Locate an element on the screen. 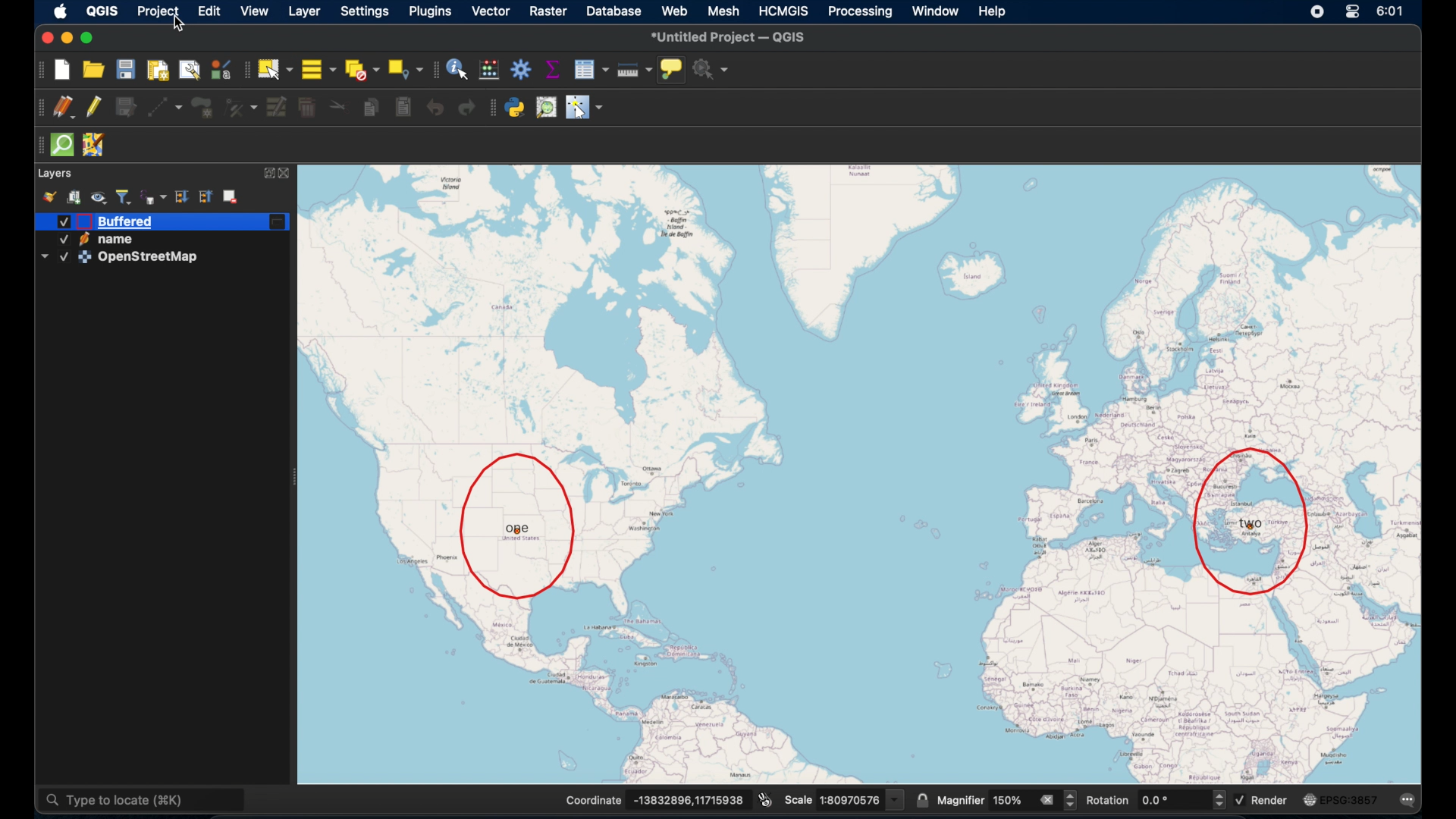 This screenshot has width=1456, height=819. select by single area or click is located at coordinates (274, 68).